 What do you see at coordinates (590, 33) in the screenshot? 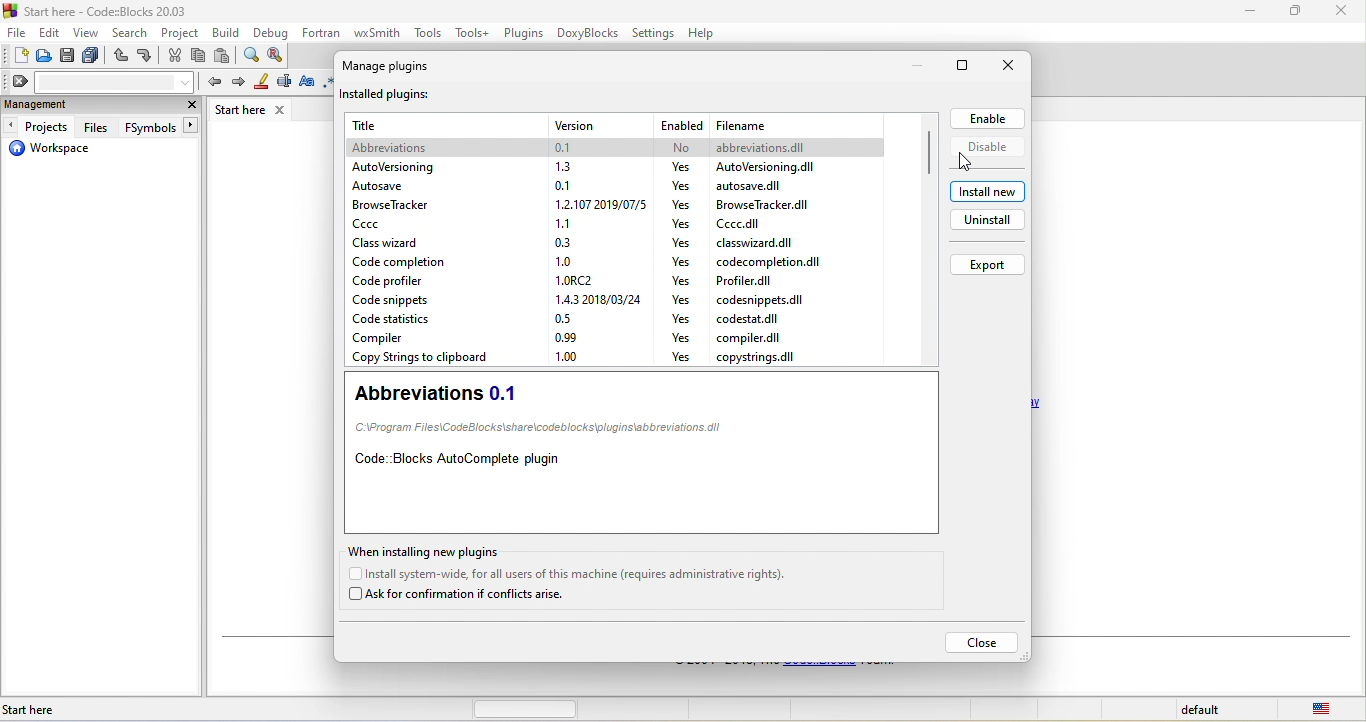
I see `doxyblocks` at bounding box center [590, 33].